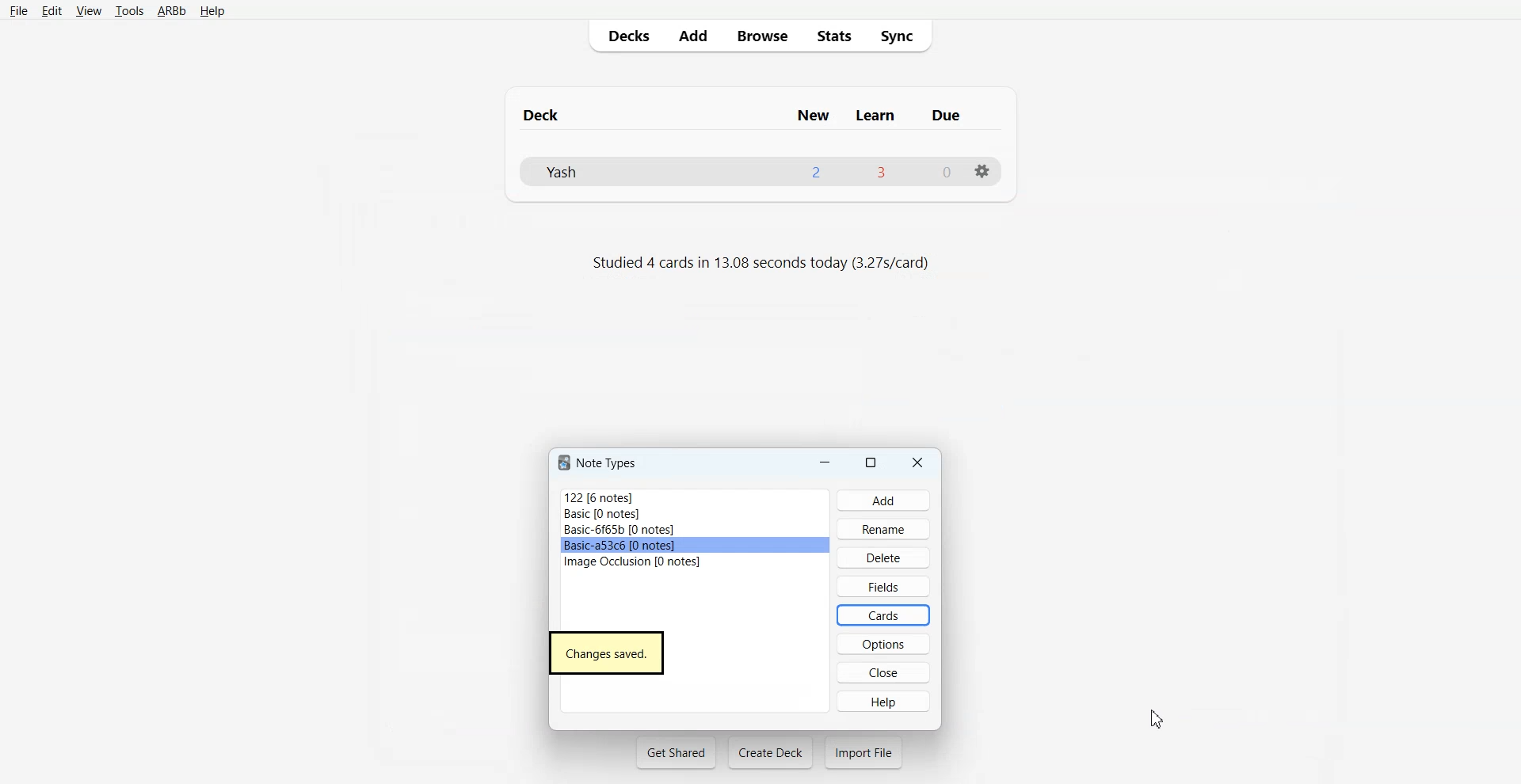 The width and height of the screenshot is (1521, 784). I want to click on Rename, so click(884, 528).